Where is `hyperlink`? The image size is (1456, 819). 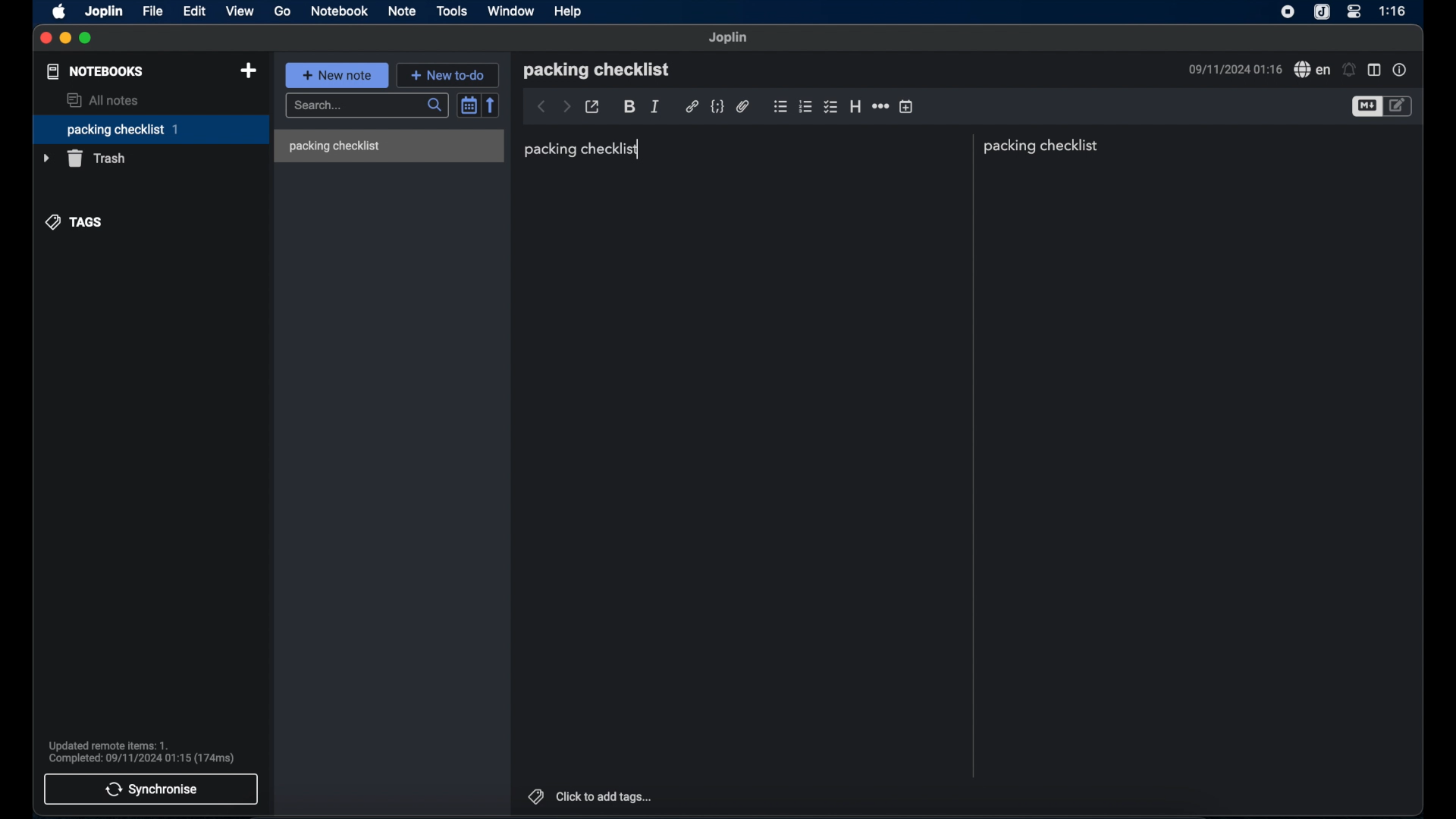 hyperlink is located at coordinates (692, 107).